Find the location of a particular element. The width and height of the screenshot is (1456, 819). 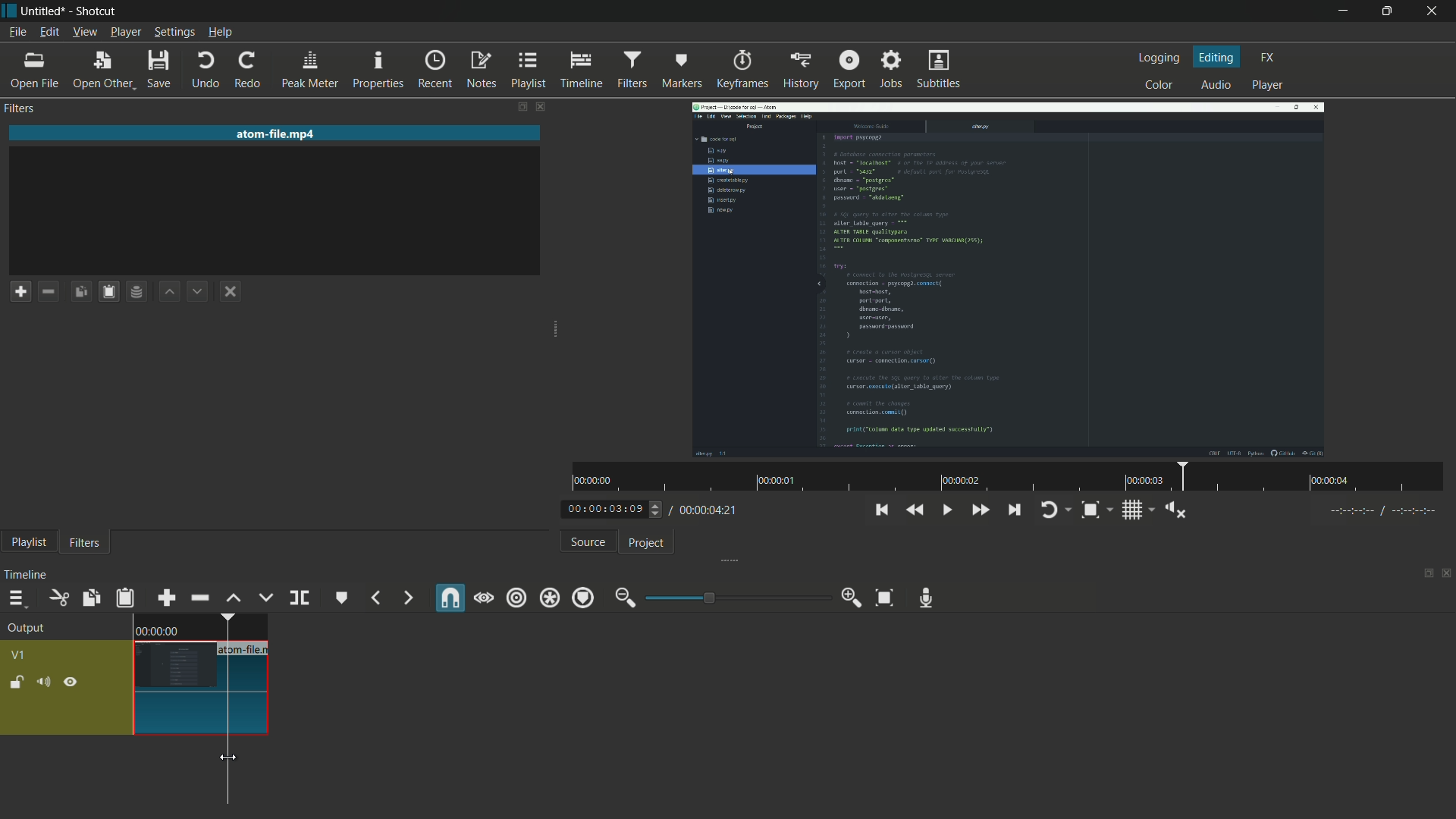

shoe volume control is located at coordinates (1177, 510).